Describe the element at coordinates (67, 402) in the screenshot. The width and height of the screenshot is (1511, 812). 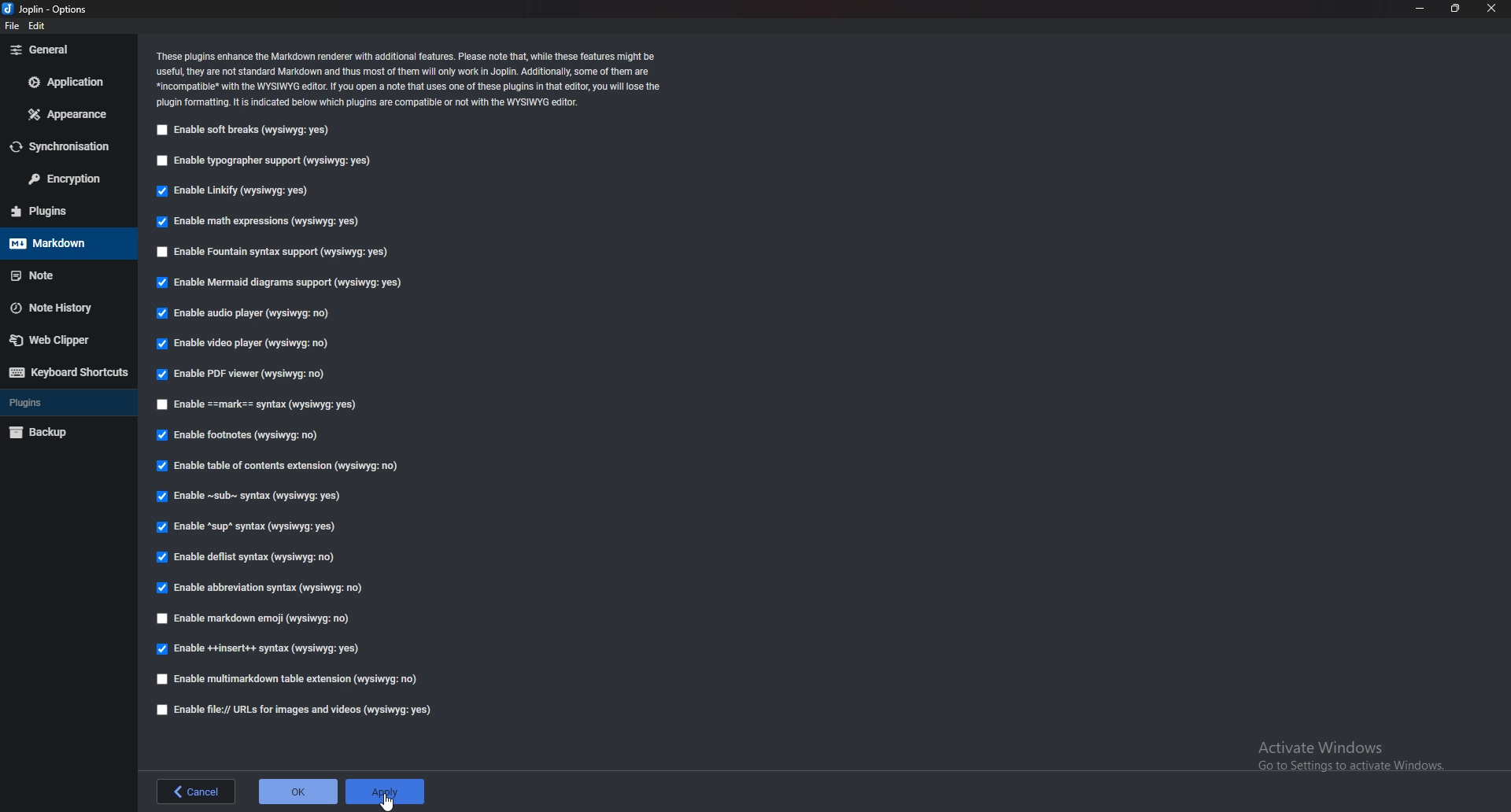
I see `plugins` at that location.